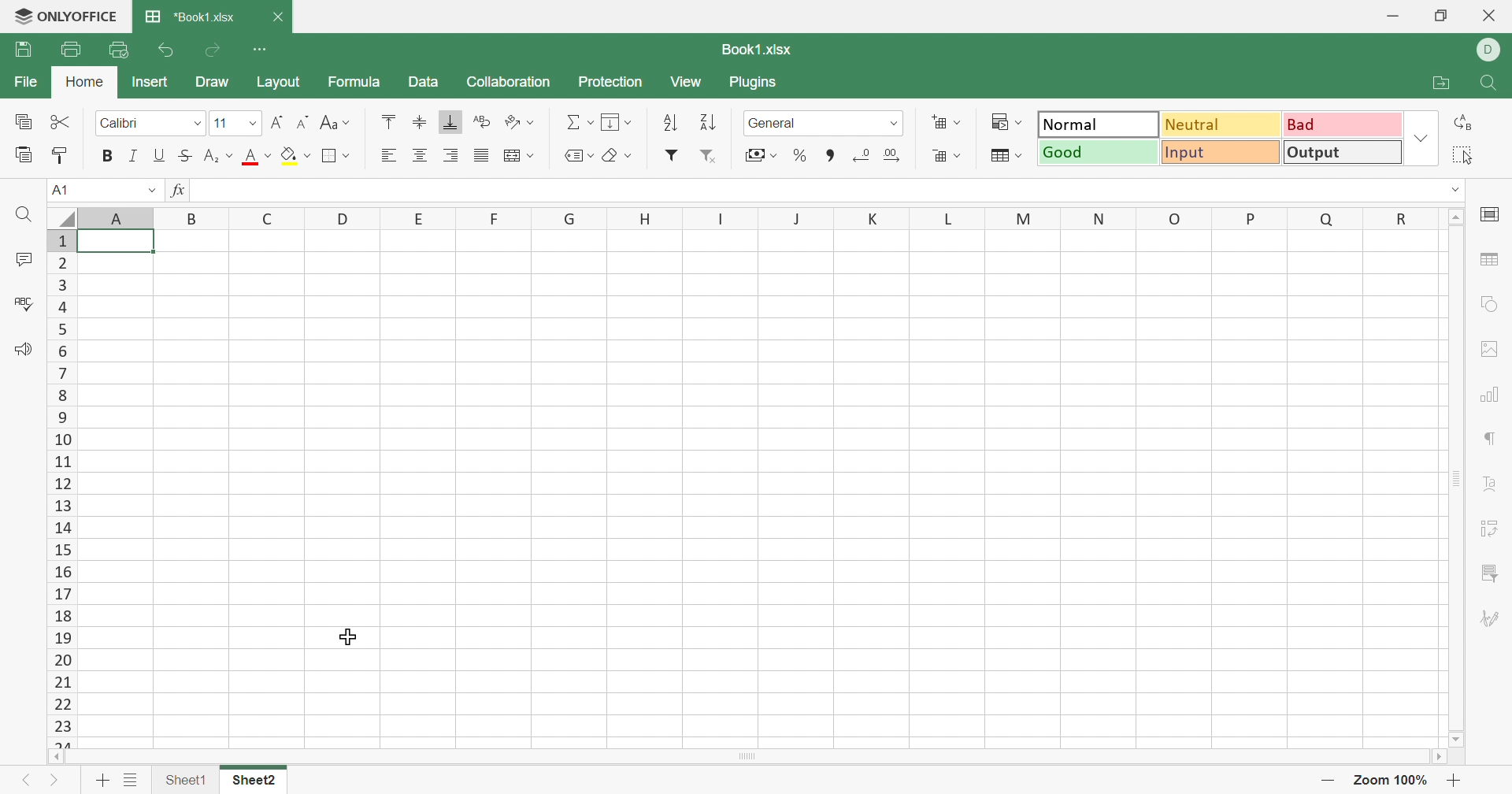  What do you see at coordinates (65, 574) in the screenshot?
I see `16` at bounding box center [65, 574].